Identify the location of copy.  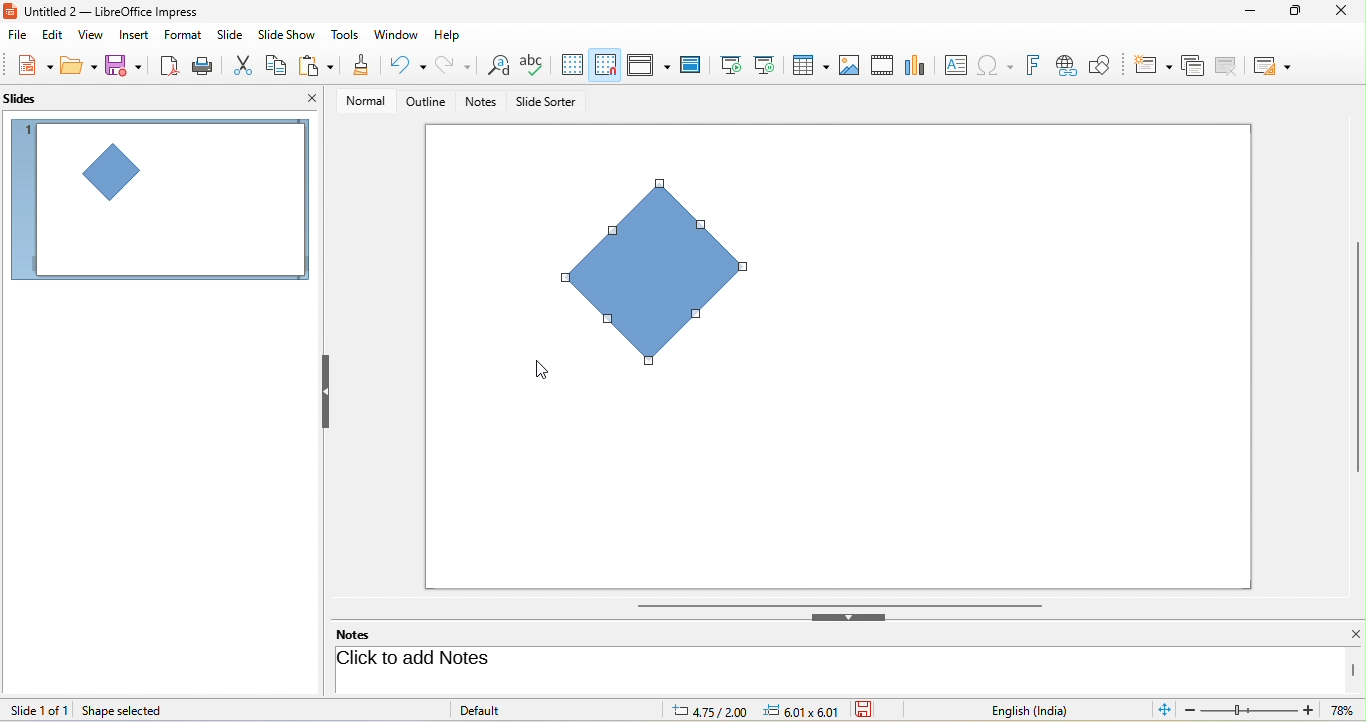
(278, 63).